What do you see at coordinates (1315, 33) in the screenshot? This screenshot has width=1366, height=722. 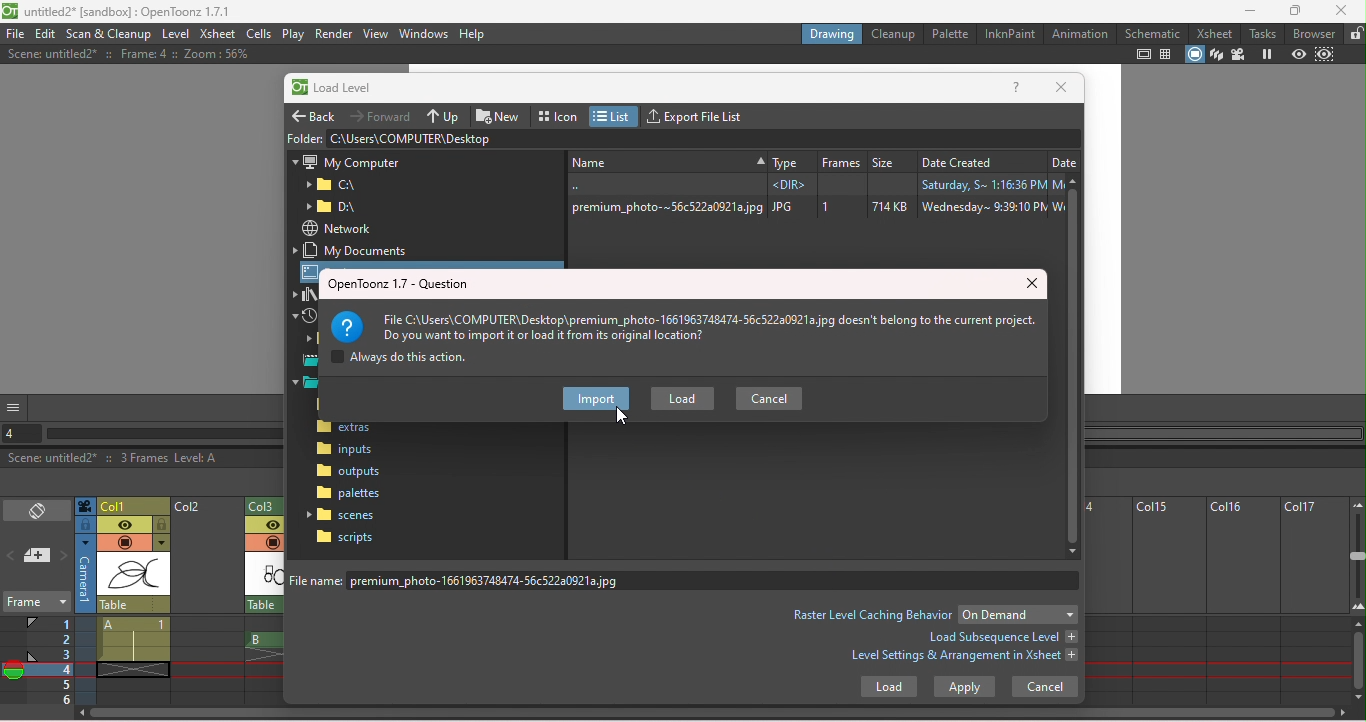 I see `Browser` at bounding box center [1315, 33].